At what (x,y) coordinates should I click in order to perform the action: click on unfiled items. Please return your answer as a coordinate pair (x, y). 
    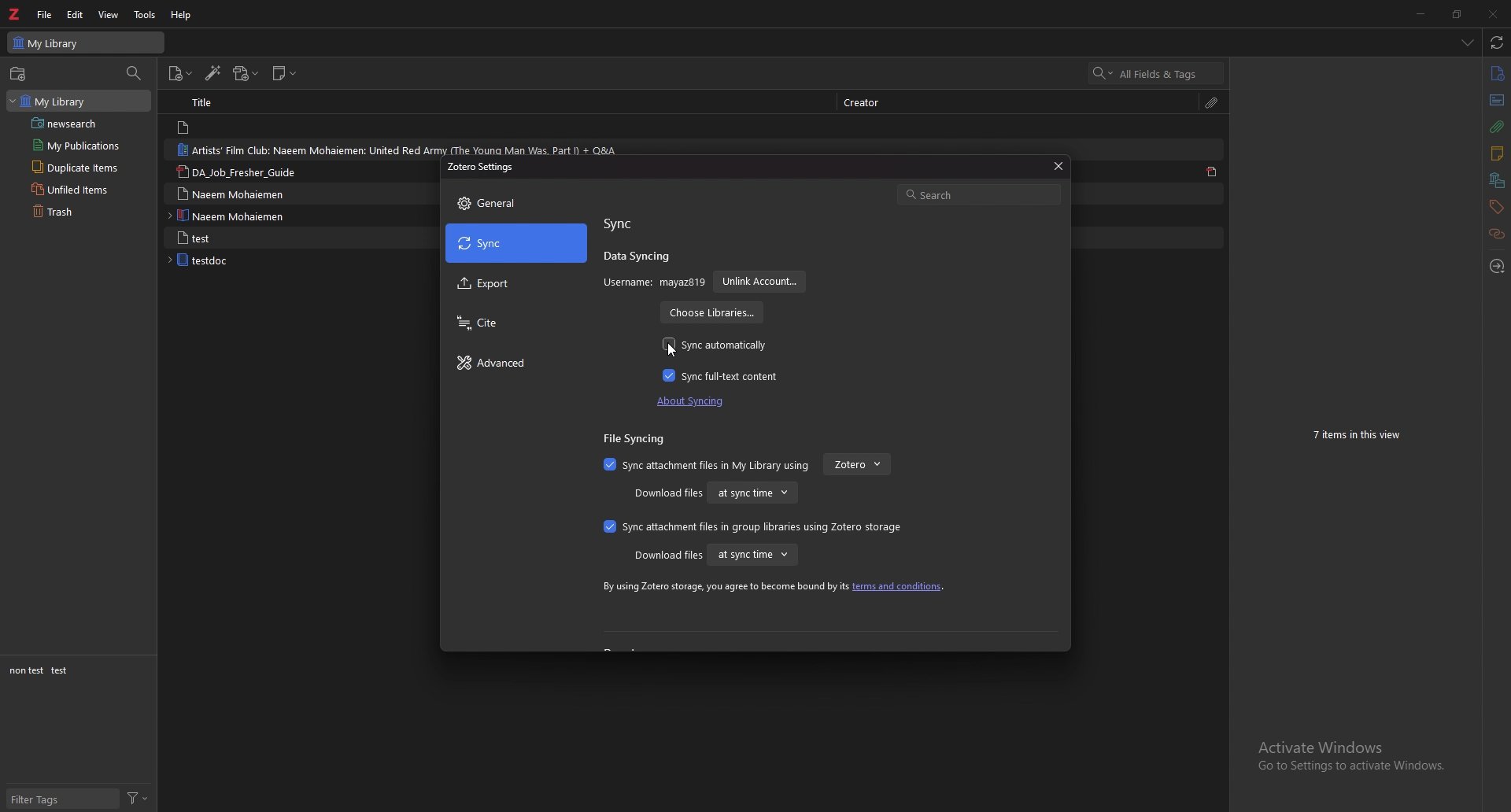
    Looking at the image, I should click on (83, 190).